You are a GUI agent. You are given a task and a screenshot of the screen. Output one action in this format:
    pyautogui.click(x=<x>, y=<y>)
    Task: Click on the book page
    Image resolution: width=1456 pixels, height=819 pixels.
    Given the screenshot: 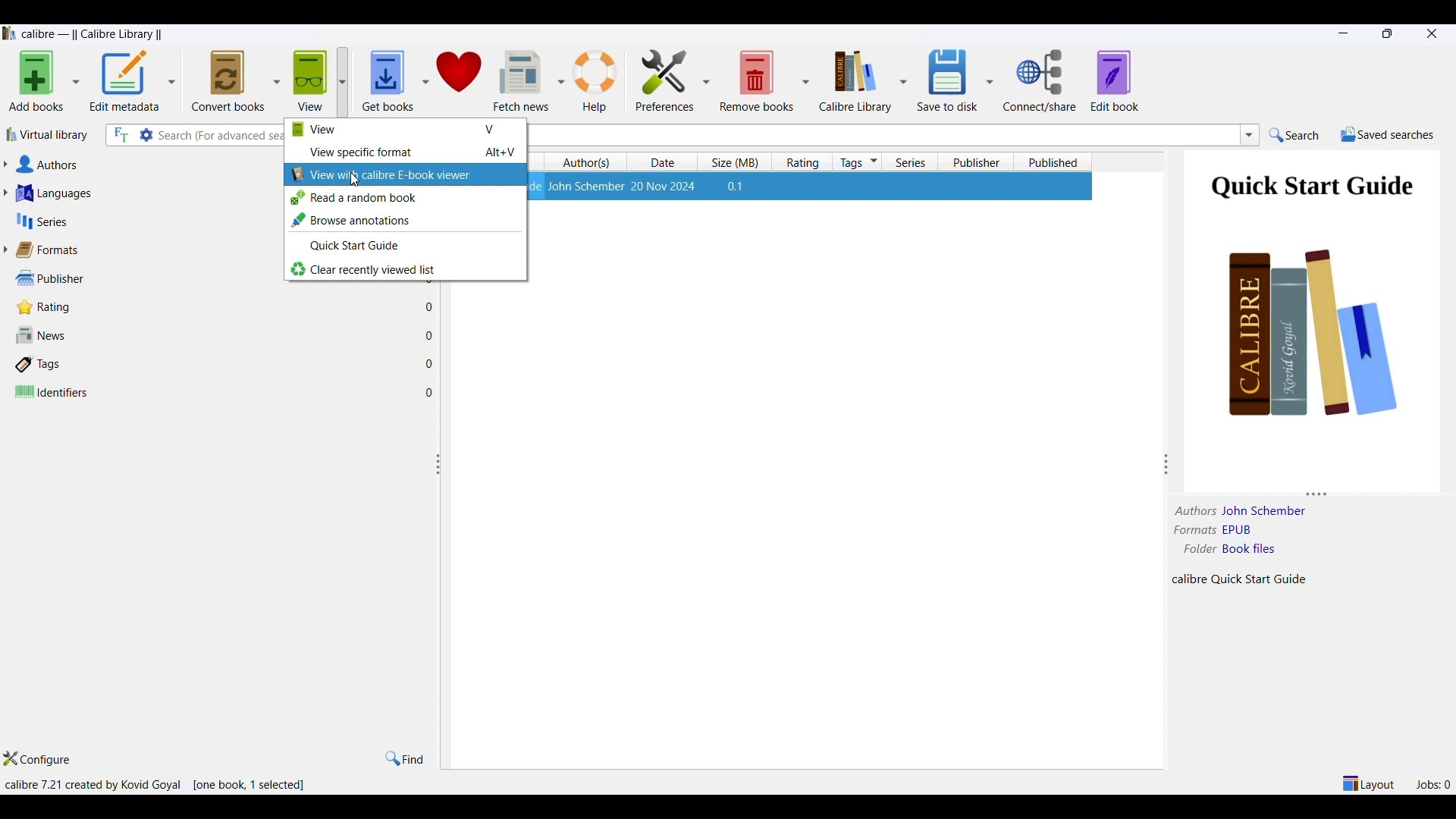 What is the action you would take?
    pyautogui.click(x=1313, y=296)
    